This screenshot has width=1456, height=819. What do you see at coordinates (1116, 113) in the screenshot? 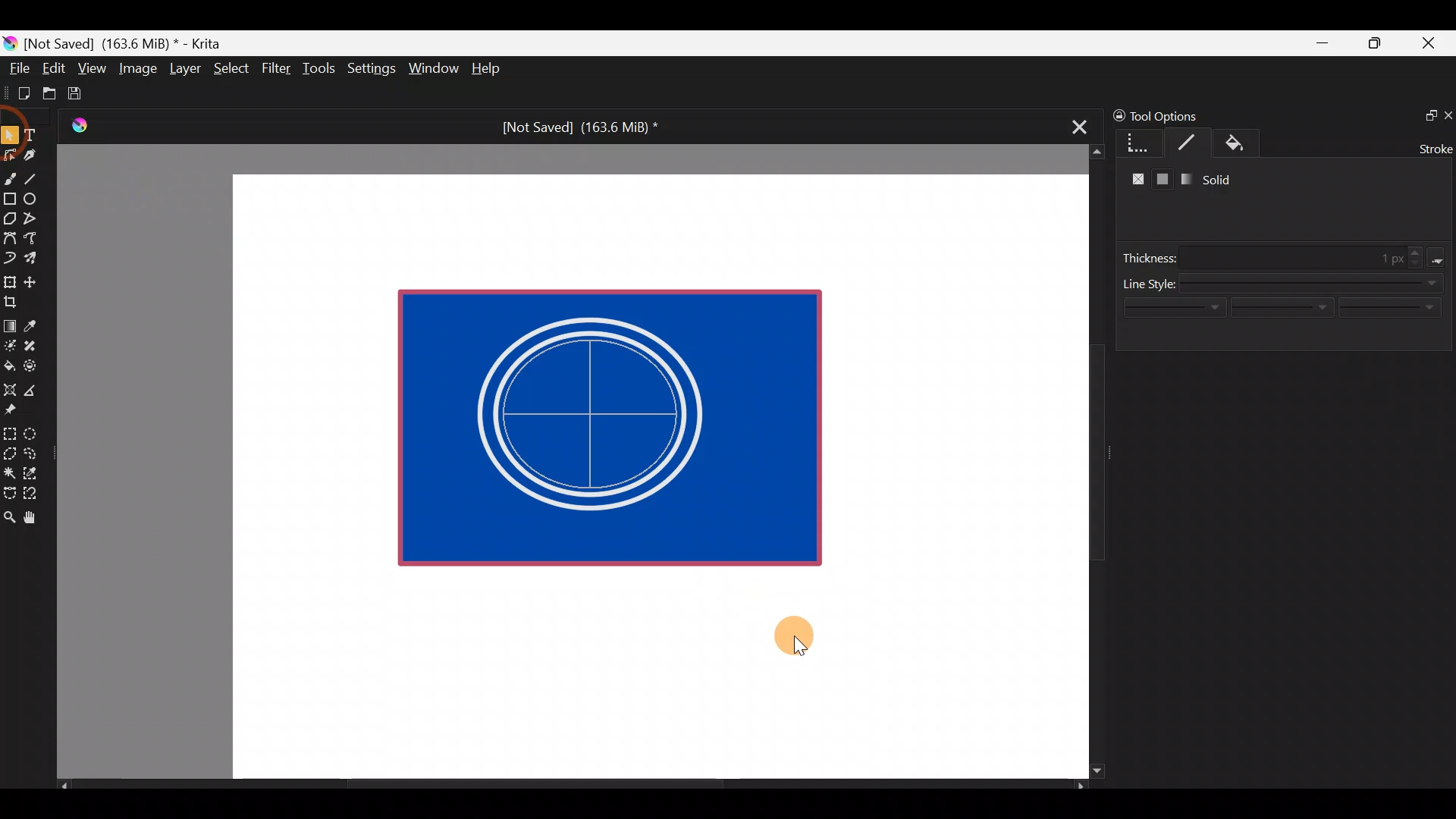
I see `Lock/unlock docker` at bounding box center [1116, 113].